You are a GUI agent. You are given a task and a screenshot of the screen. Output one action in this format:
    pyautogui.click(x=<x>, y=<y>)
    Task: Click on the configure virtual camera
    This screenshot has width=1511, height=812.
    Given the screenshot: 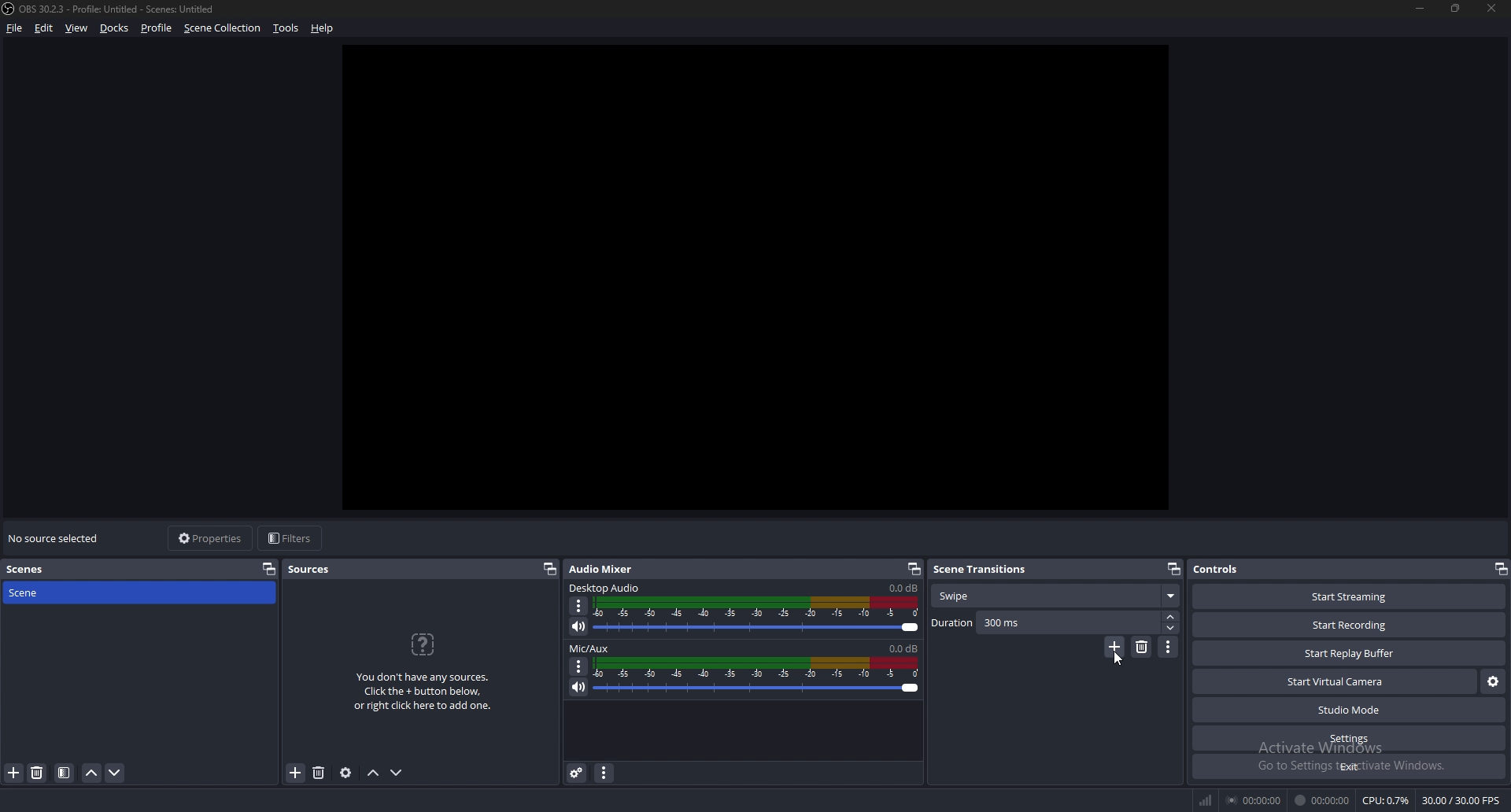 What is the action you would take?
    pyautogui.click(x=1493, y=682)
    